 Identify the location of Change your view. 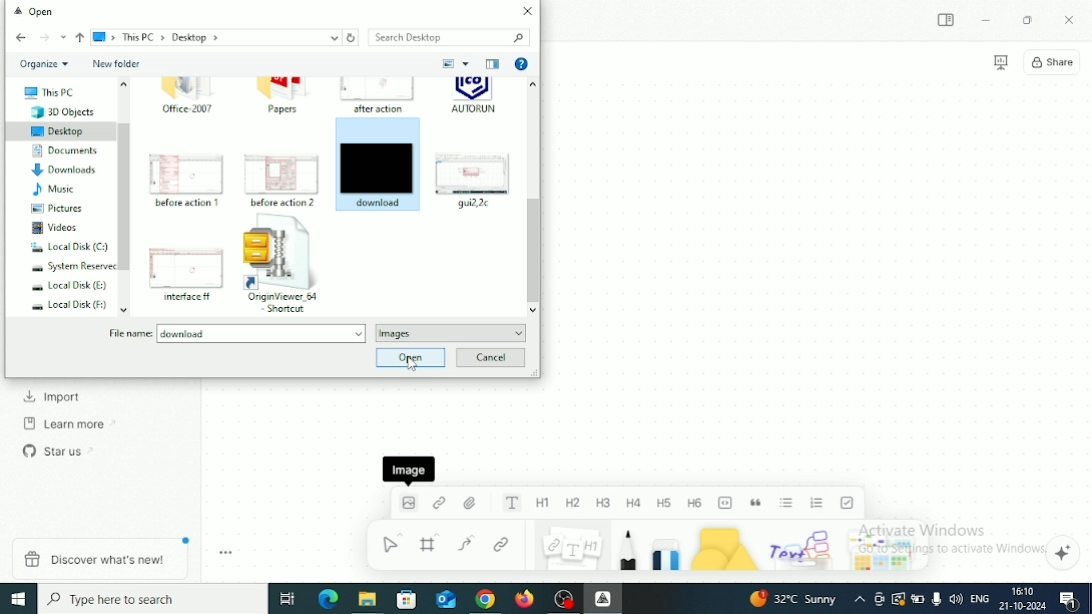
(448, 64).